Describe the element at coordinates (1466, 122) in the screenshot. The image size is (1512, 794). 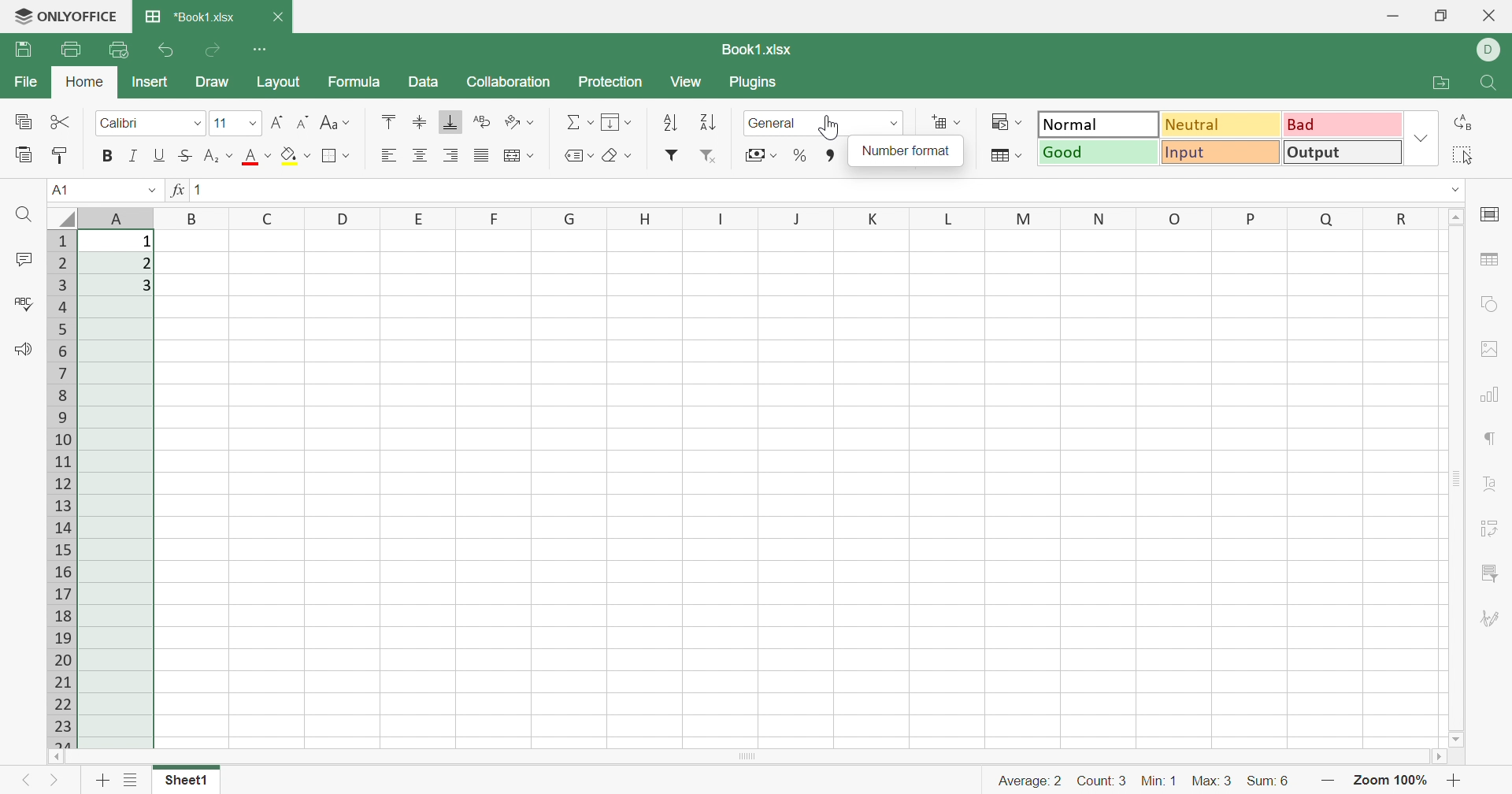
I see `Replace` at that location.